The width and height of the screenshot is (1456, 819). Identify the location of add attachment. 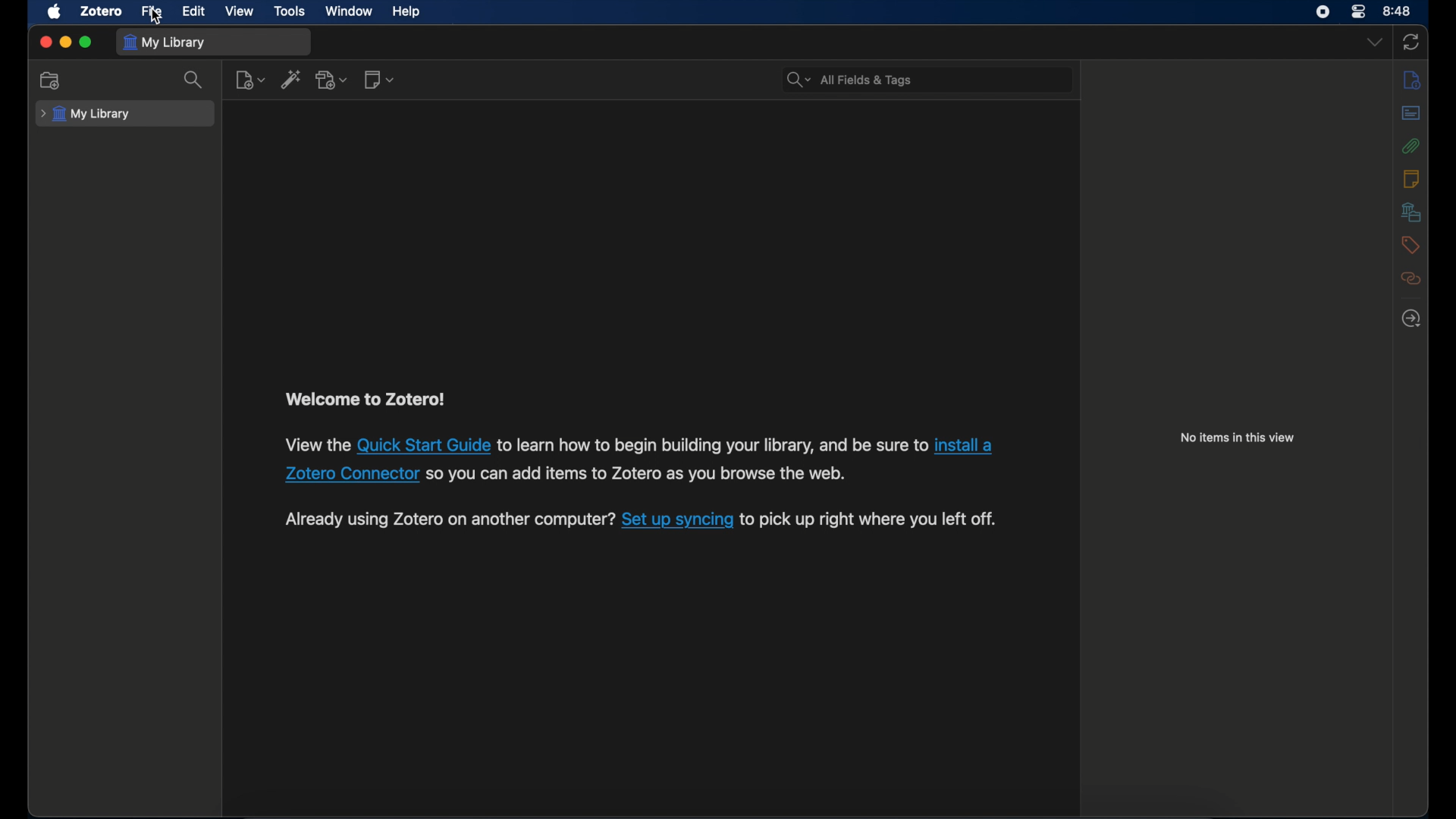
(332, 79).